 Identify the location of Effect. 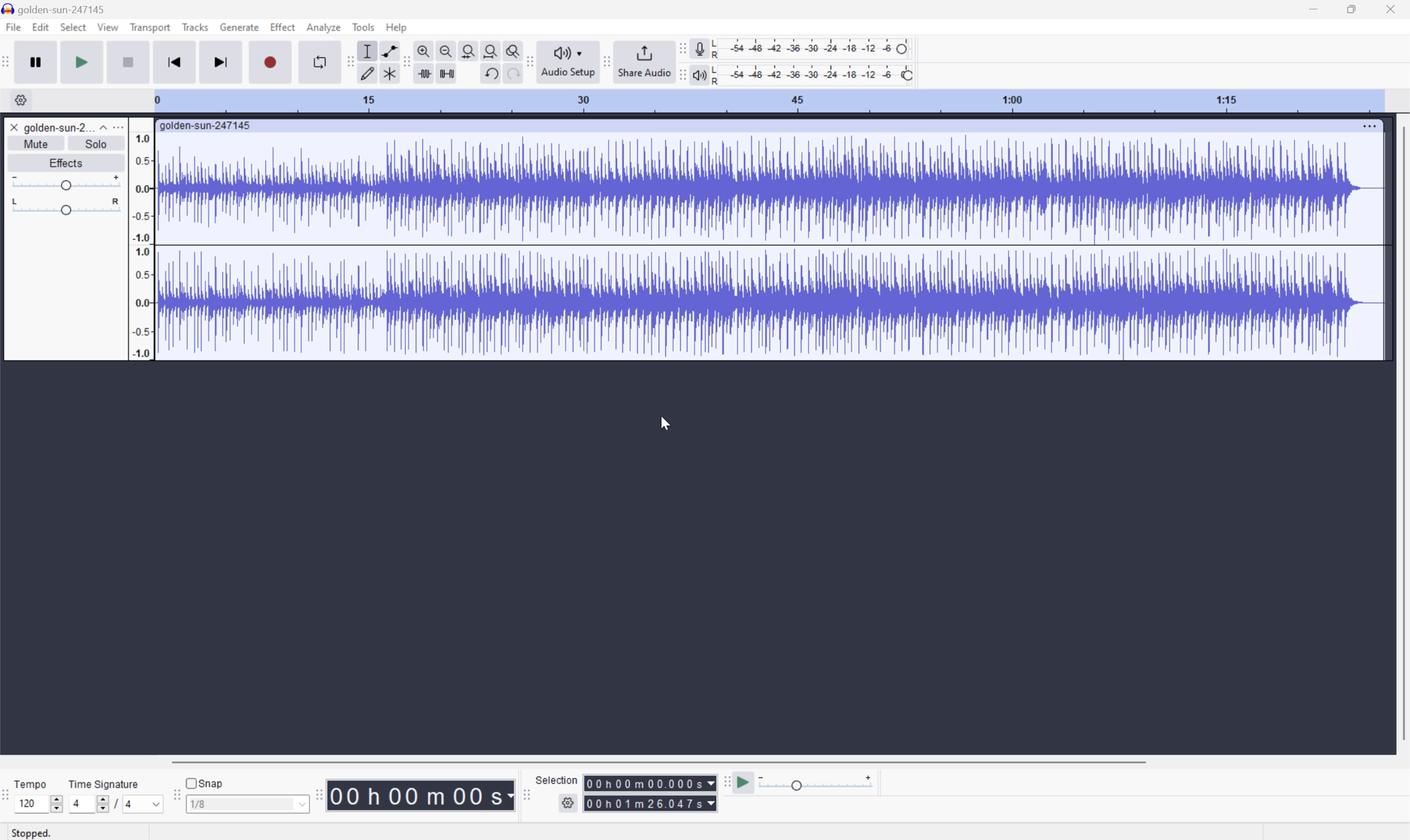
(283, 27).